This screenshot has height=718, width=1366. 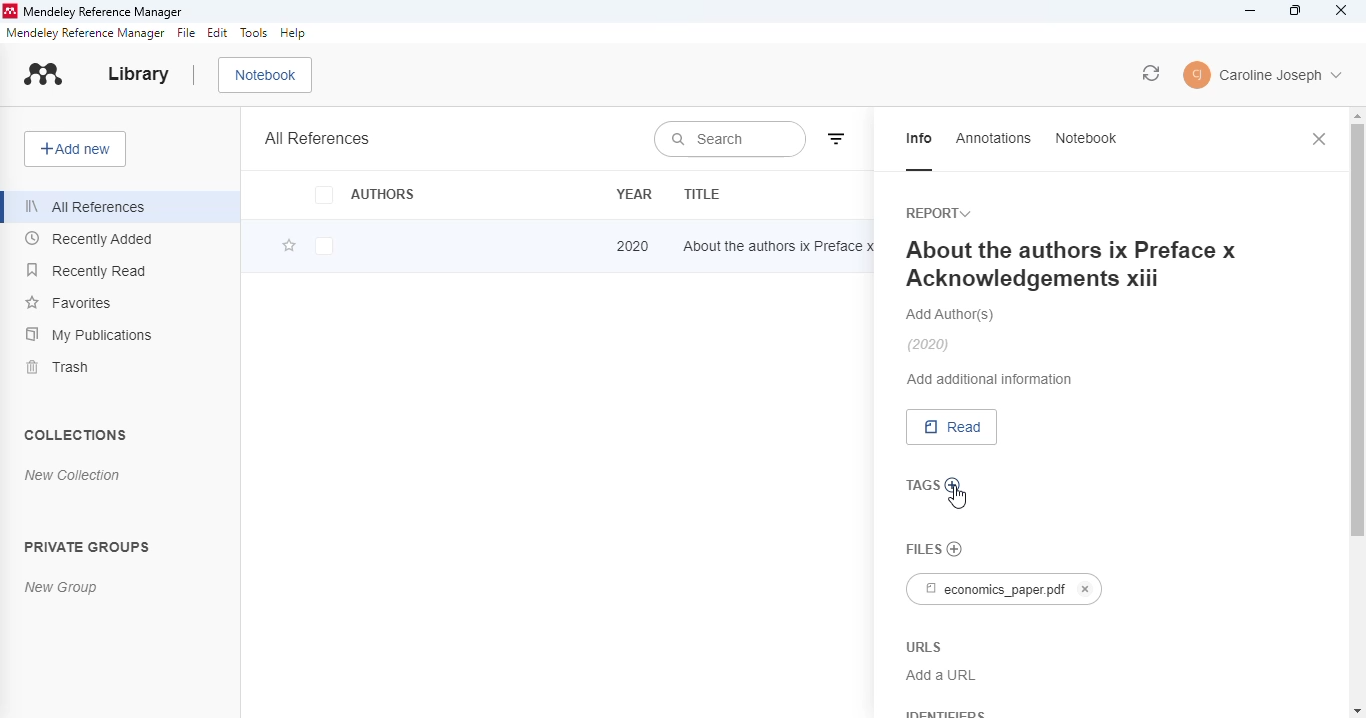 I want to click on add new, so click(x=75, y=149).